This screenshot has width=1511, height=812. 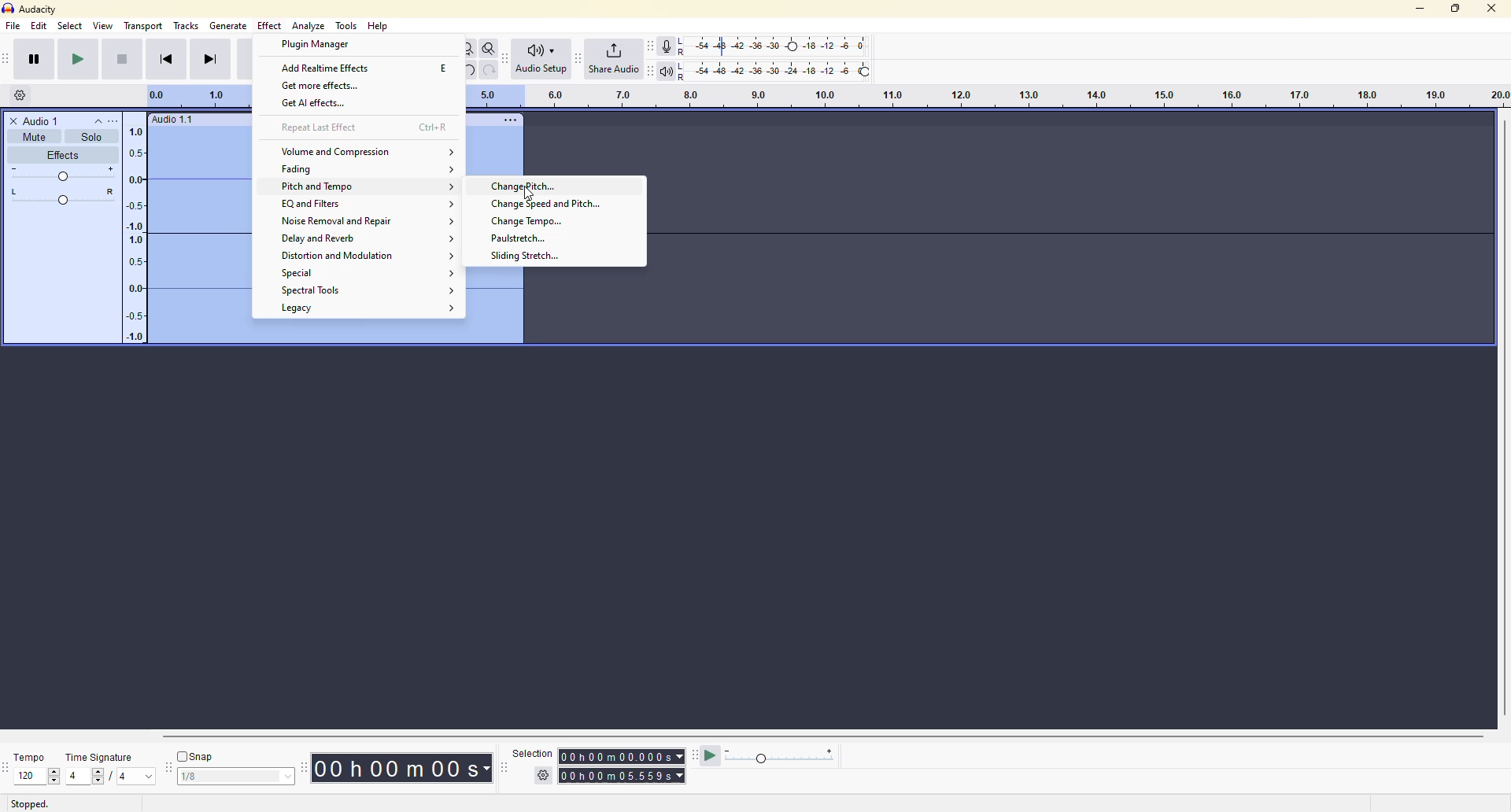 I want to click on legacy, so click(x=300, y=309).